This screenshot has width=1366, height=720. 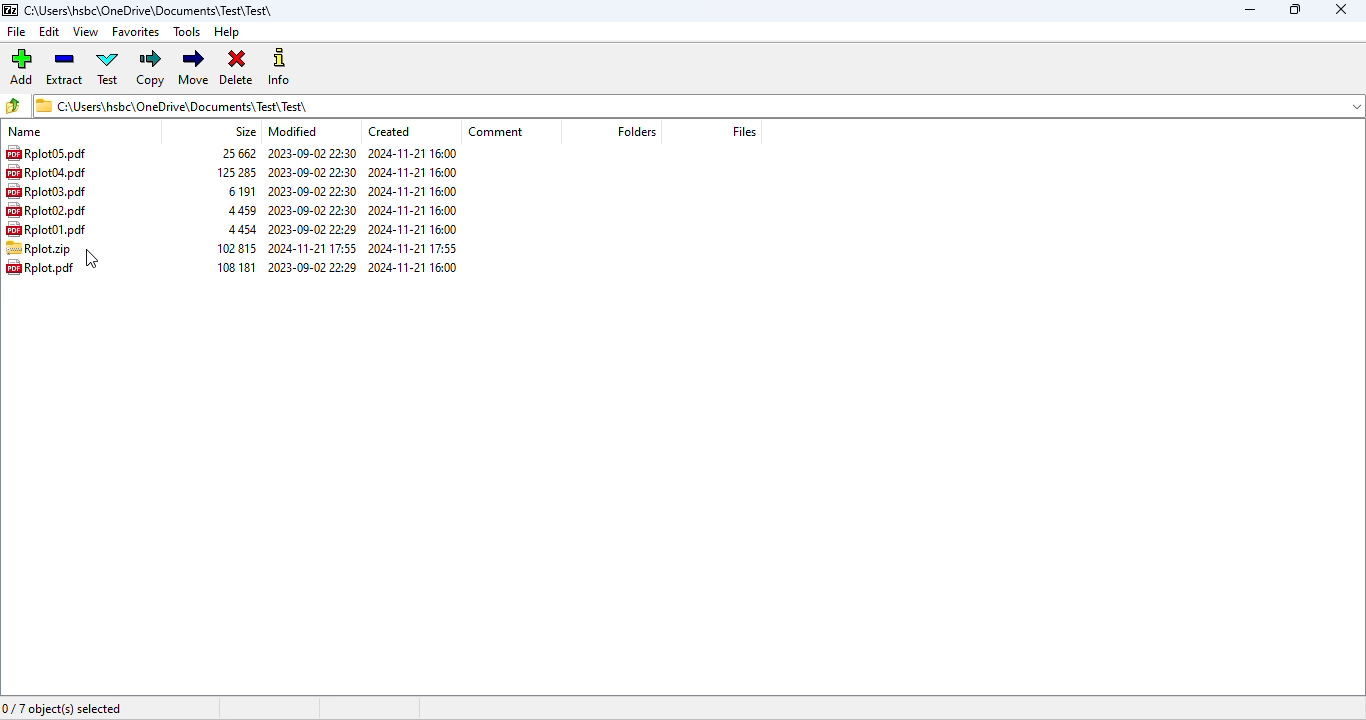 I want to click on  Rplot0S.pdf, so click(x=47, y=153).